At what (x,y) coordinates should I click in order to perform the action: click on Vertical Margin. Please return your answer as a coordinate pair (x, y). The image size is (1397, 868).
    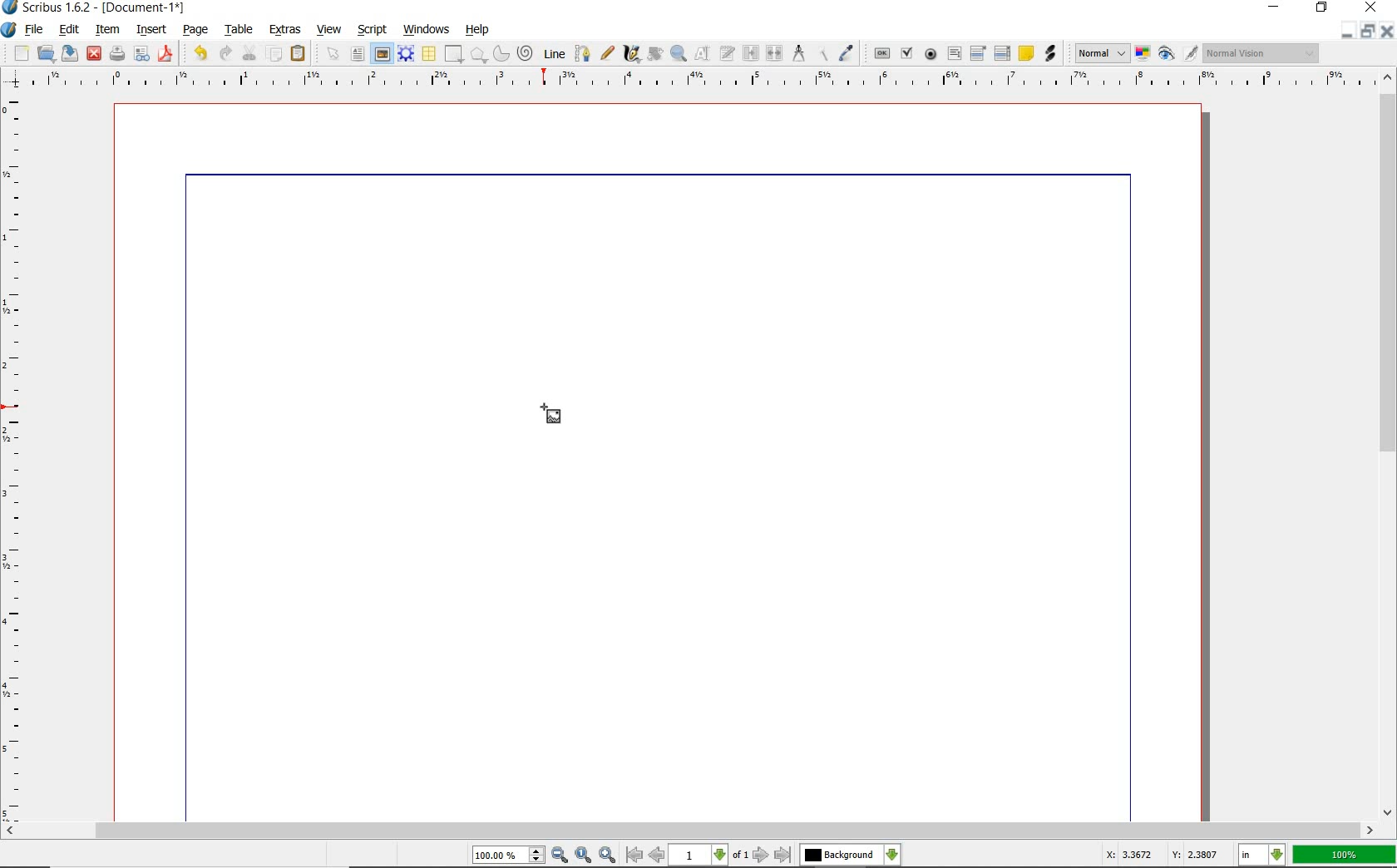
    Looking at the image, I should click on (16, 456).